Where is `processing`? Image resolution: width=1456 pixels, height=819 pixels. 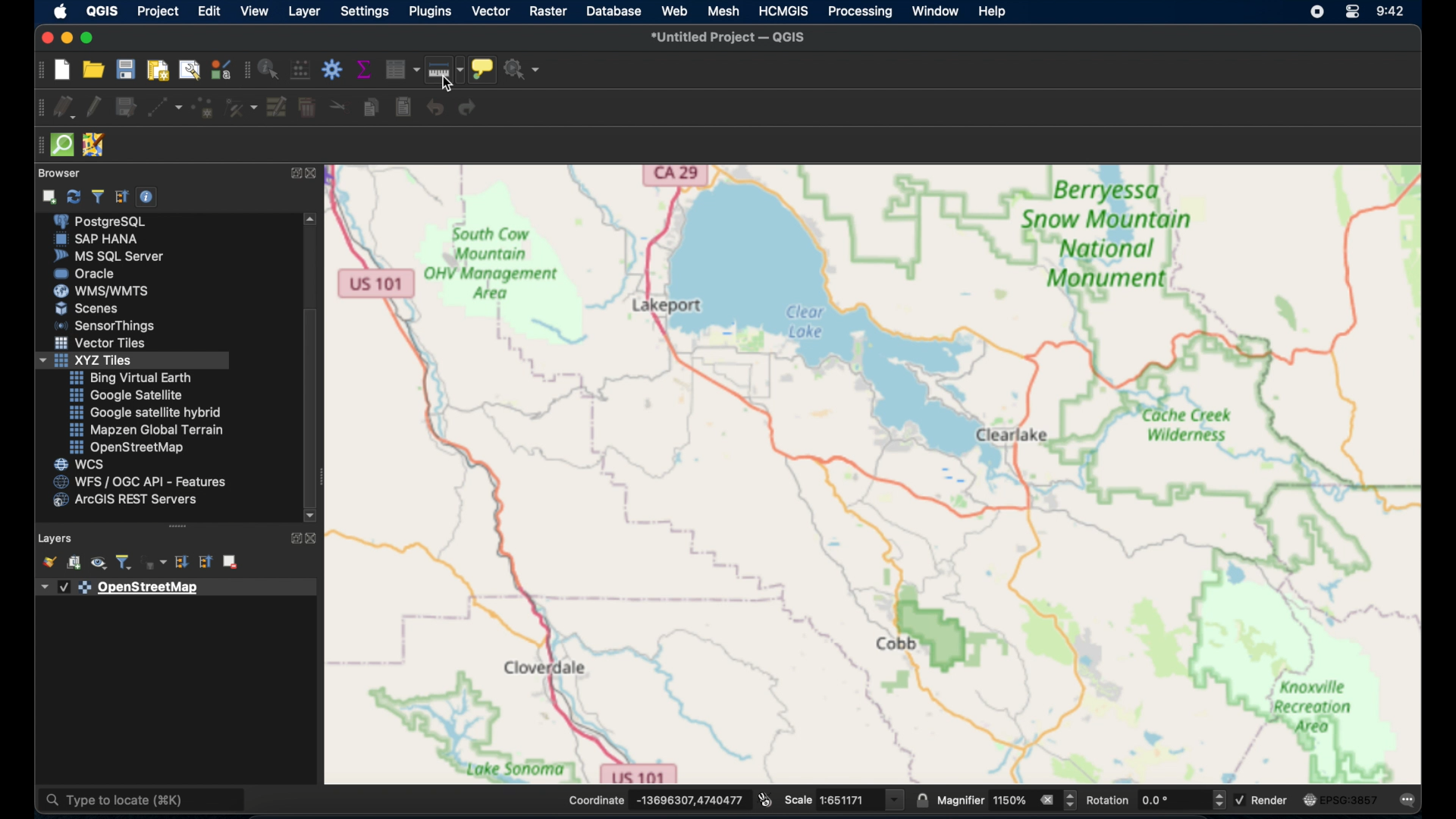 processing is located at coordinates (858, 13).